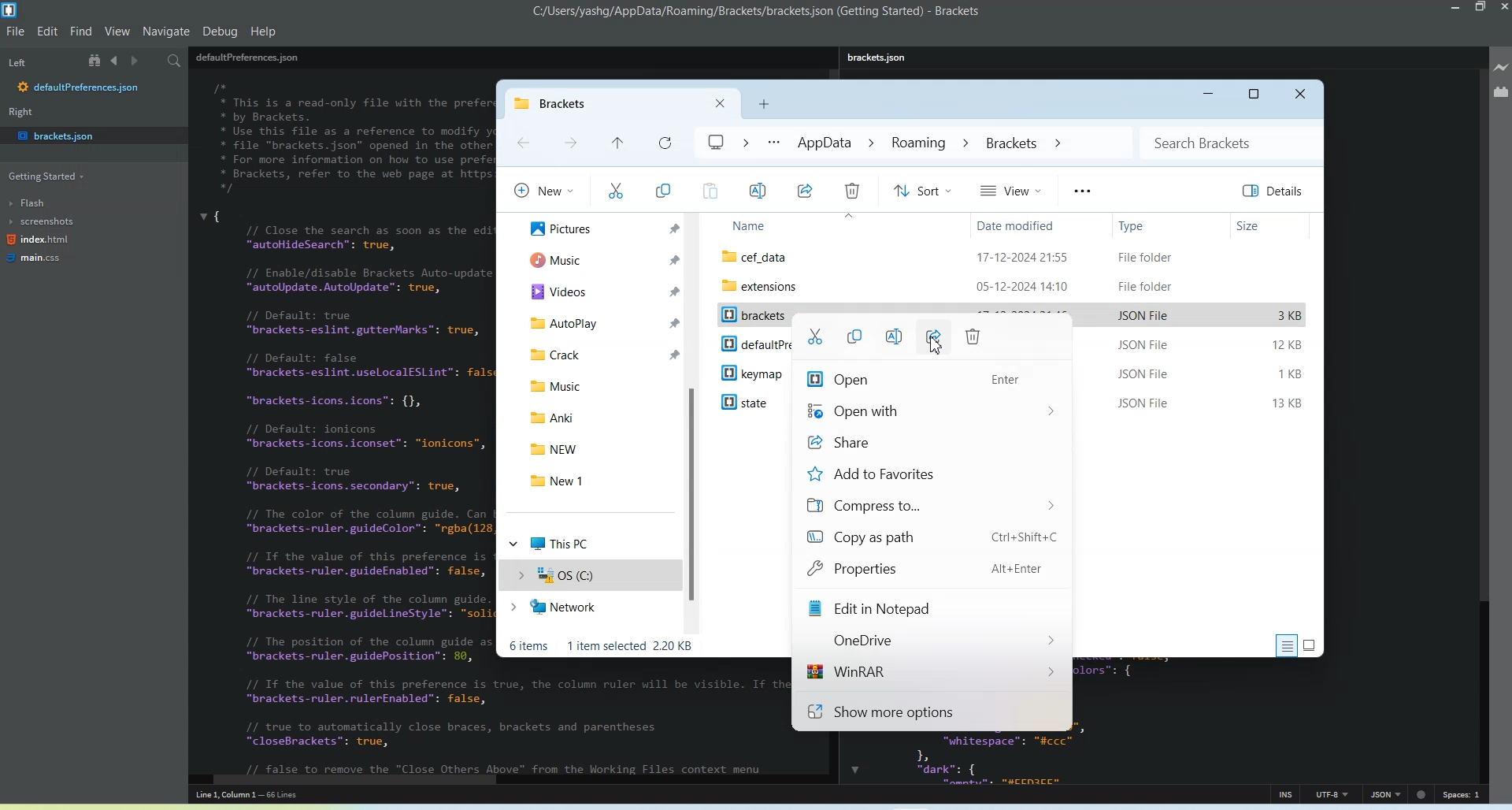 Image resolution: width=1512 pixels, height=810 pixels. What do you see at coordinates (662, 143) in the screenshot?
I see `Refresh` at bounding box center [662, 143].